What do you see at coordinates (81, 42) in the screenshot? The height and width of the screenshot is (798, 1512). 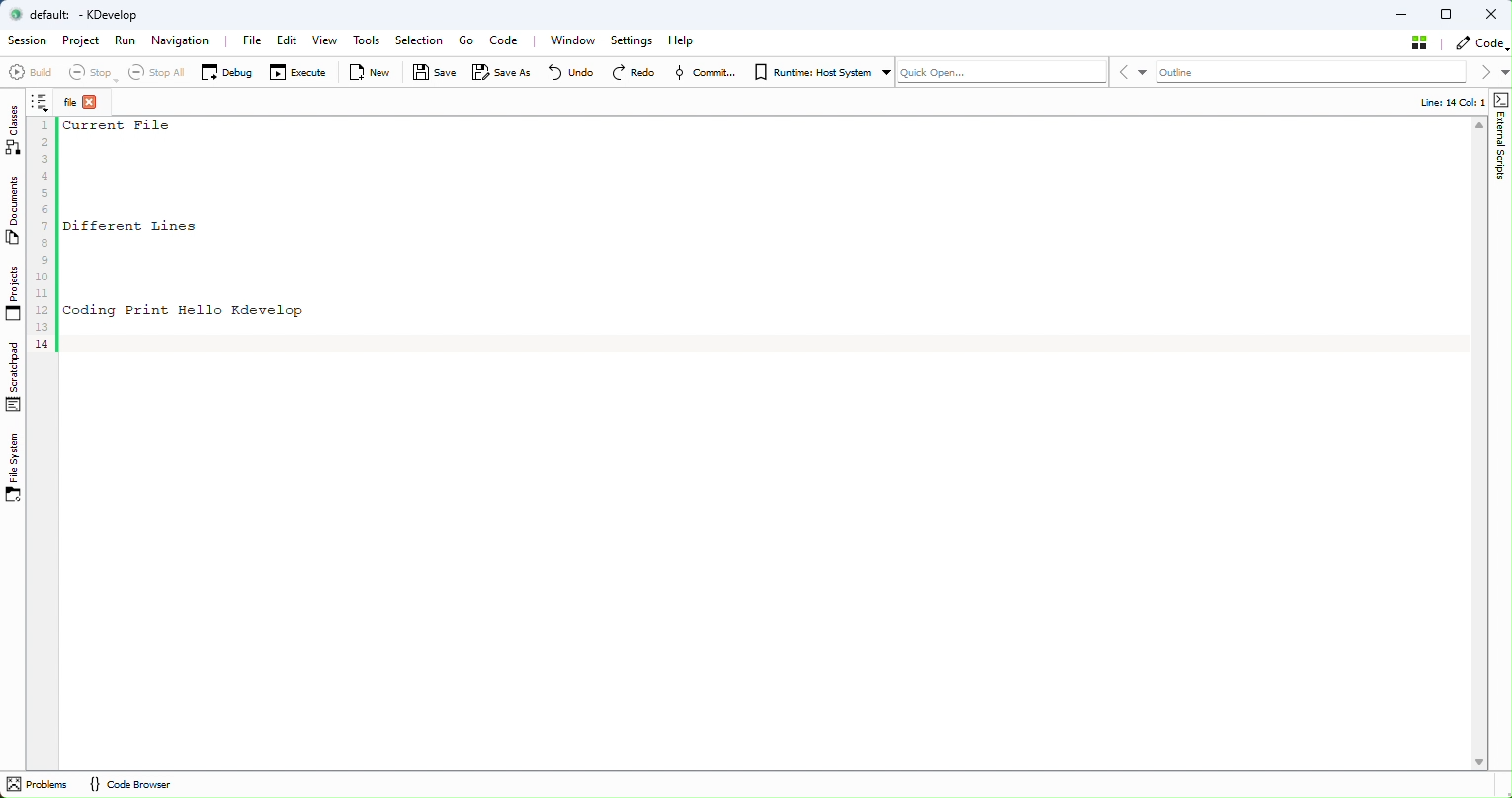 I see `Project` at bounding box center [81, 42].